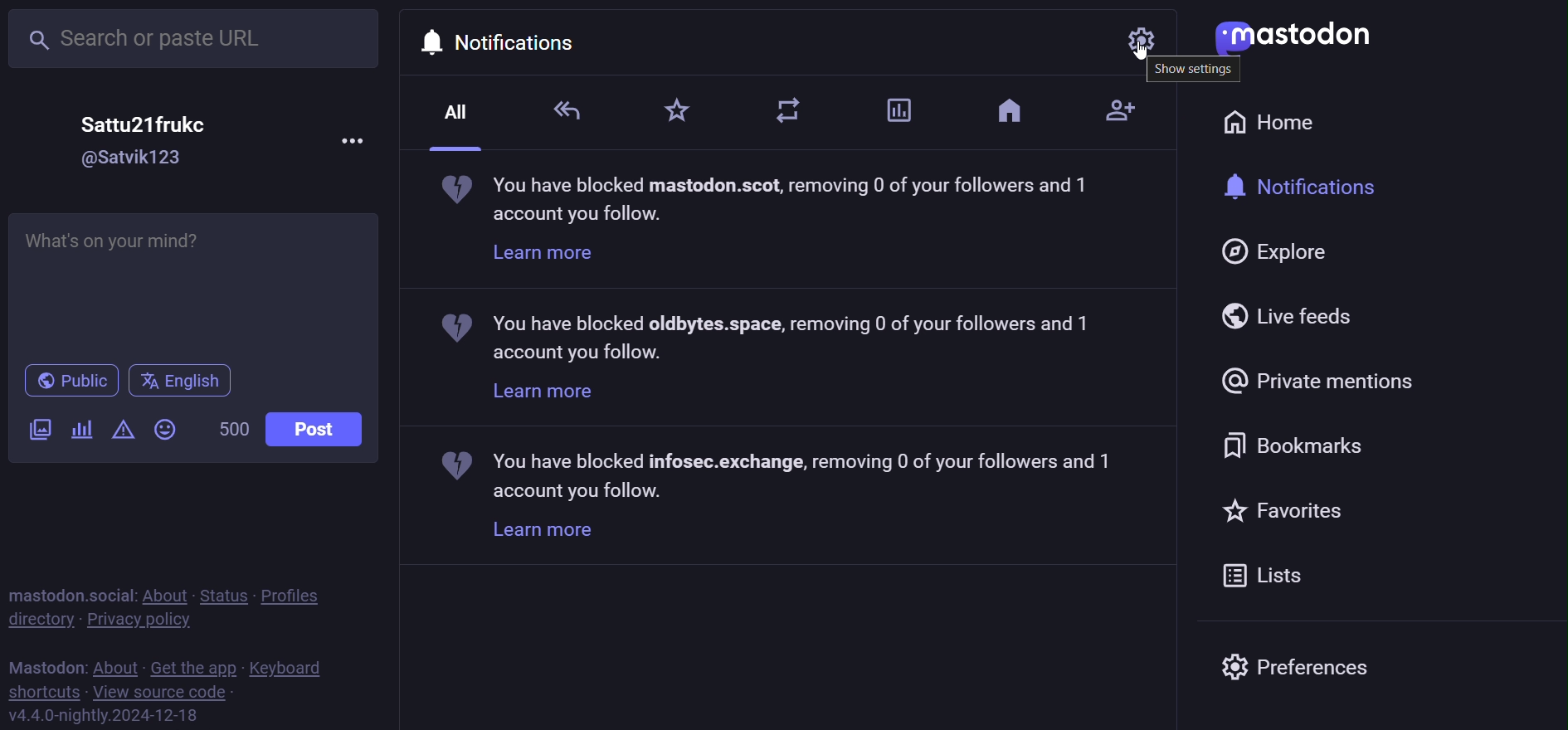 The height and width of the screenshot is (730, 1568). I want to click on about, so click(116, 664).